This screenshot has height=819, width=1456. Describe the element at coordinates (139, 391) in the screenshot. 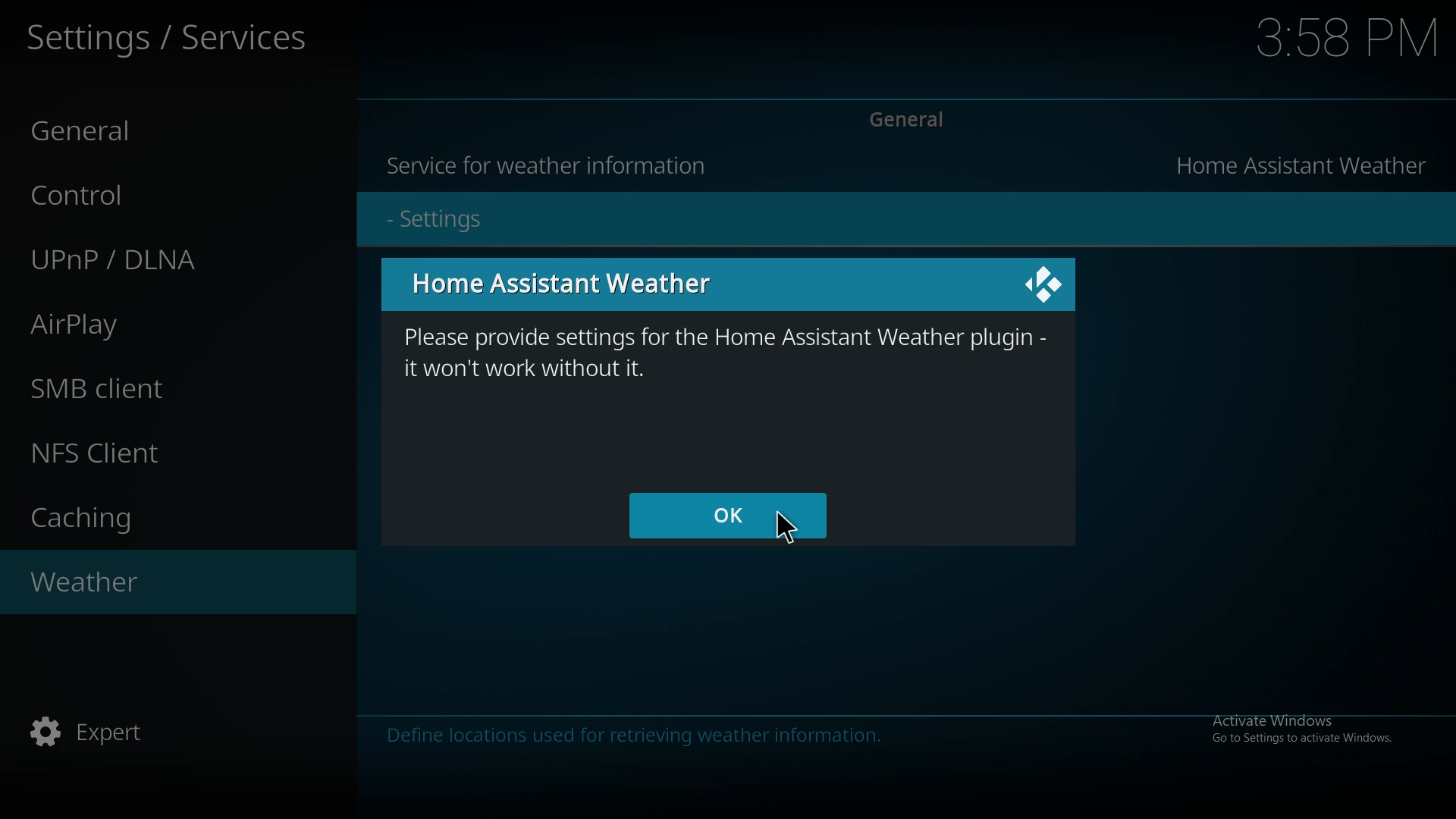

I see `SMB client` at that location.